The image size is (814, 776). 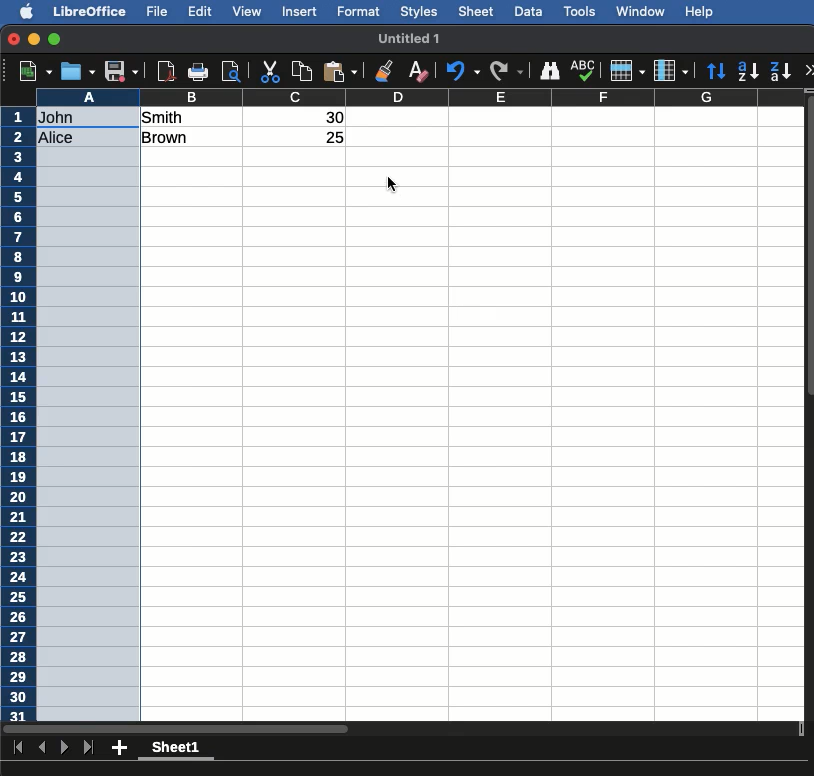 What do you see at coordinates (79, 71) in the screenshot?
I see `Open` at bounding box center [79, 71].